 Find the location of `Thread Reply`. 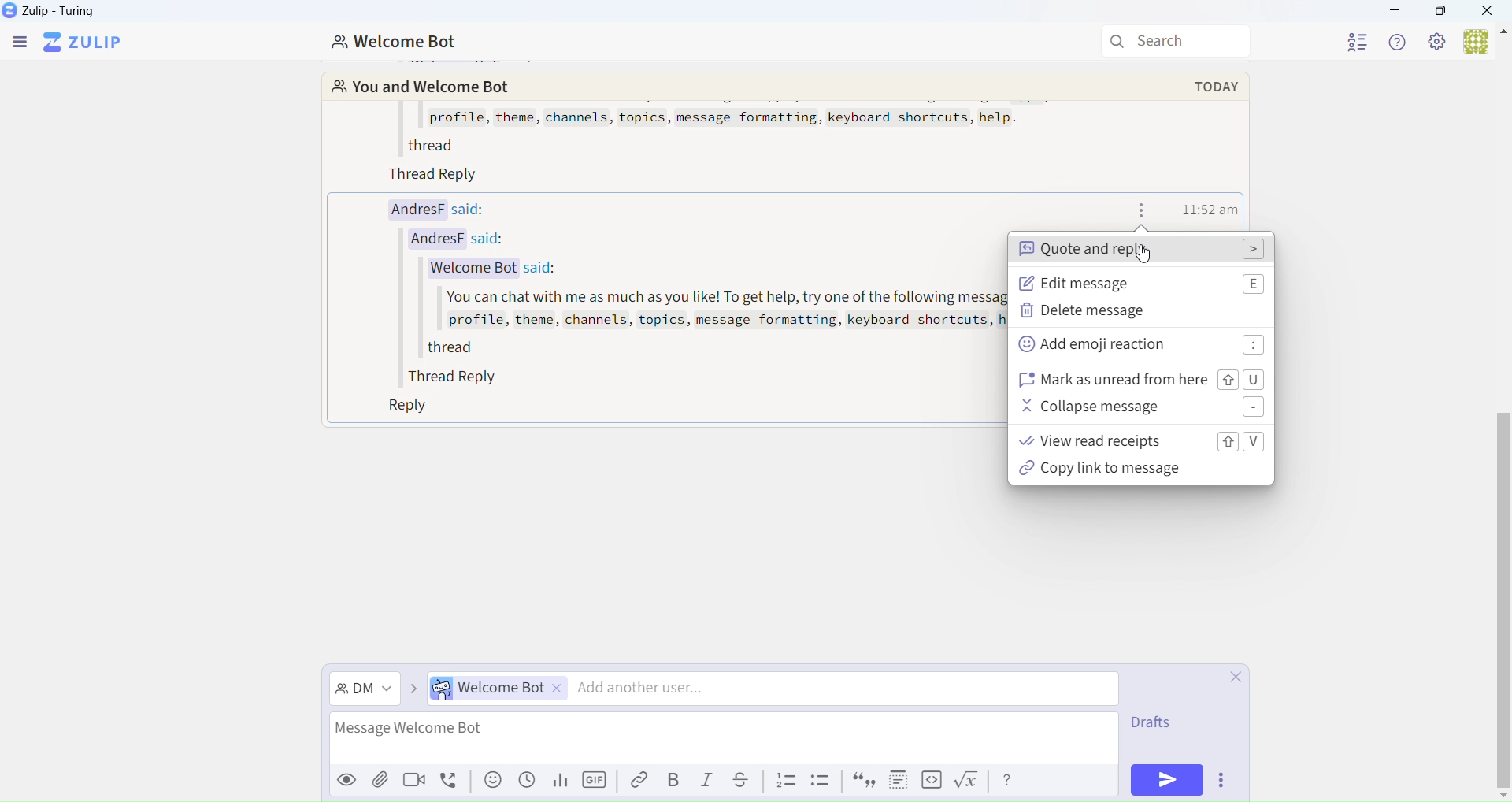

Thread Reply is located at coordinates (440, 177).